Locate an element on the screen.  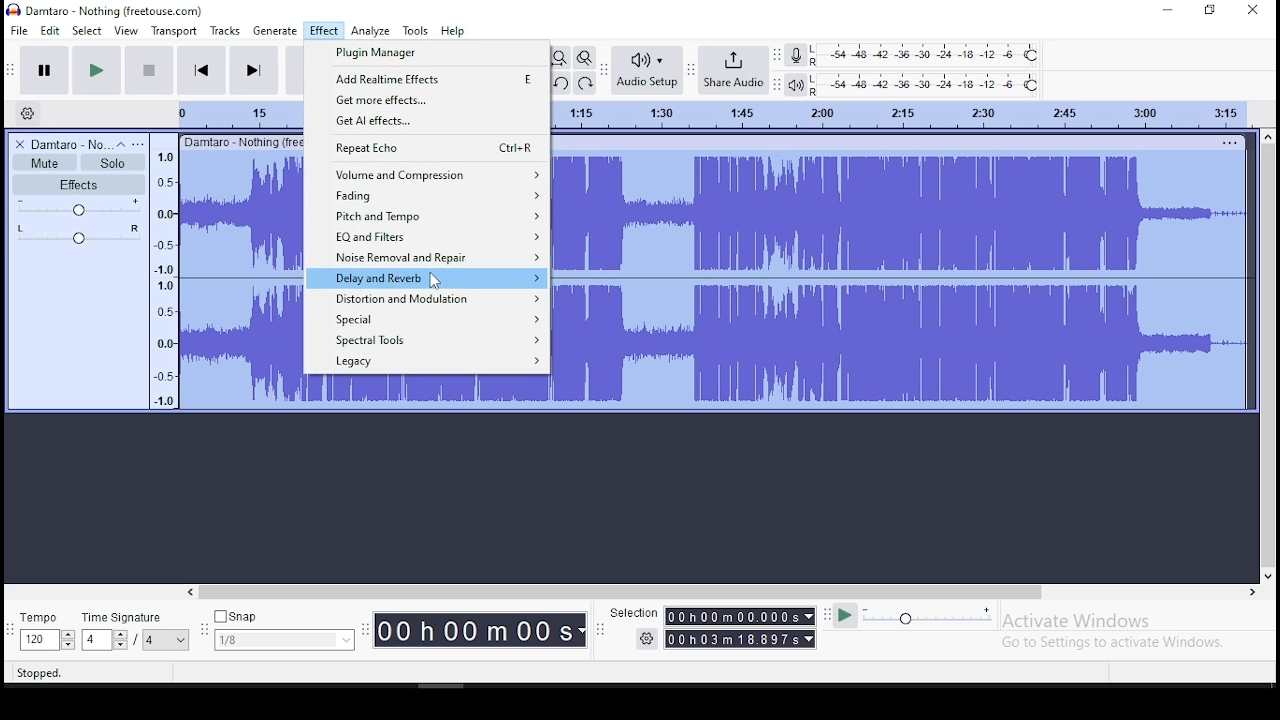
fading is located at coordinates (426, 196).